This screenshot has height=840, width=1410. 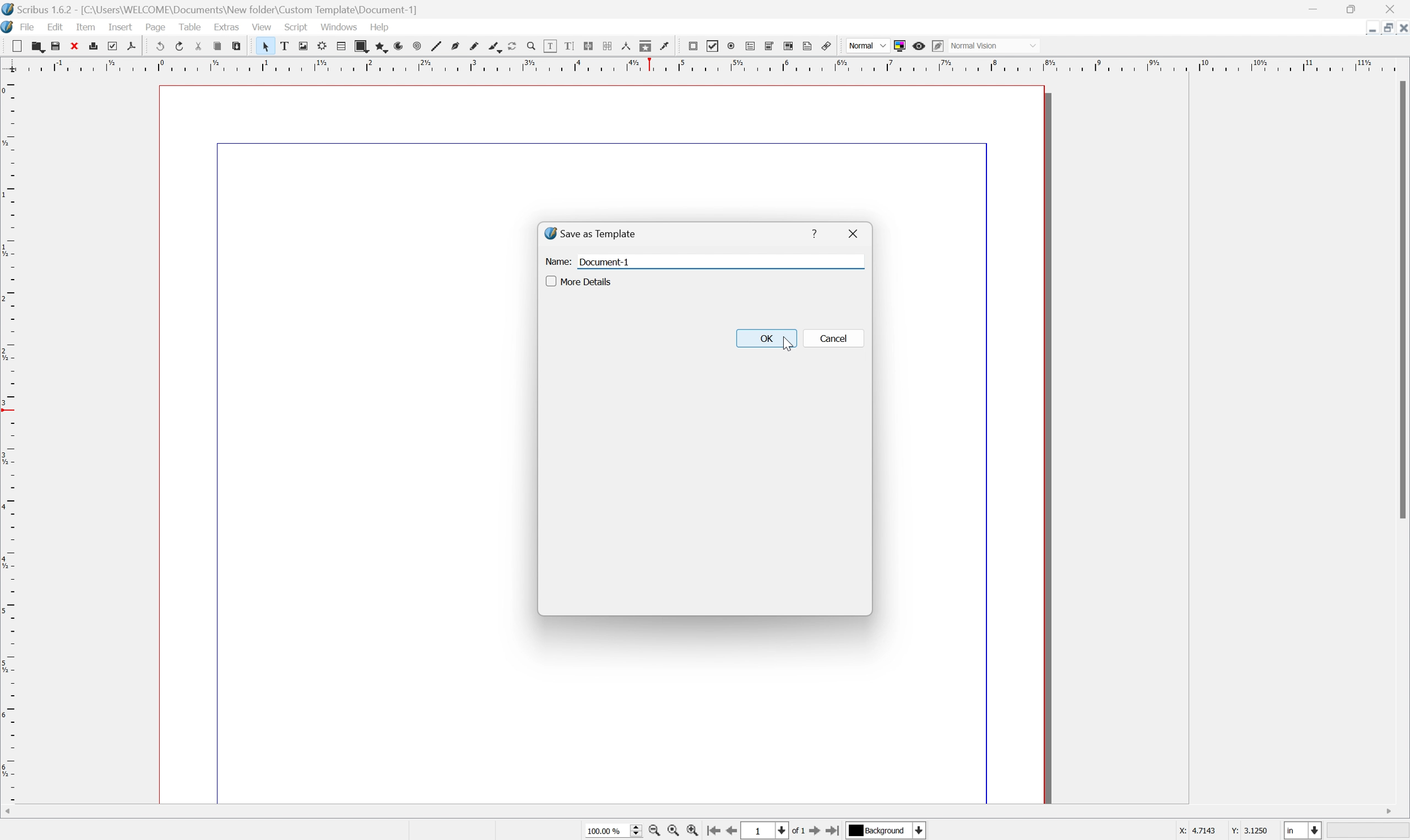 I want to click on PDF text field, so click(x=750, y=46).